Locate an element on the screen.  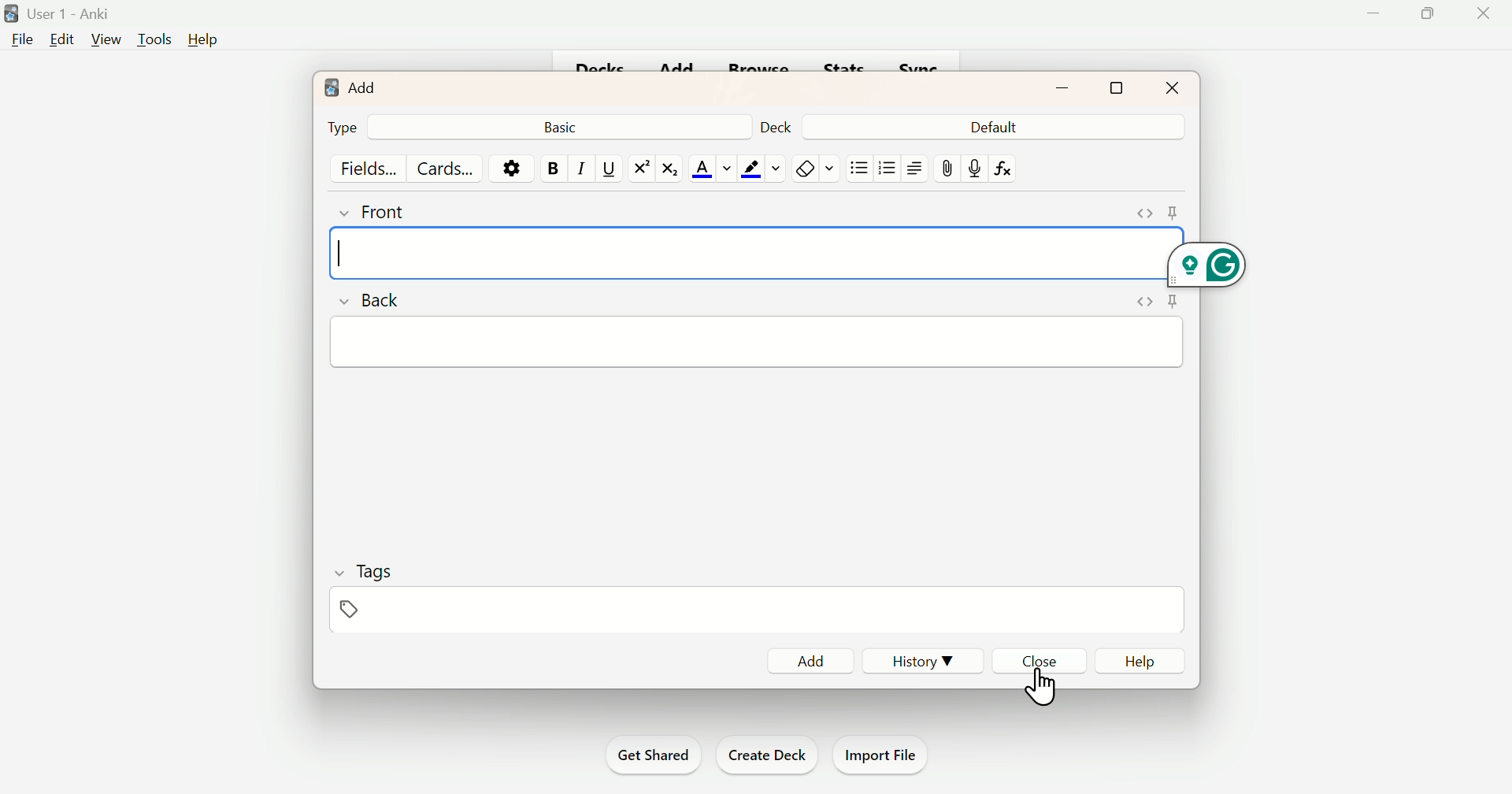
Add is located at coordinates (353, 89).